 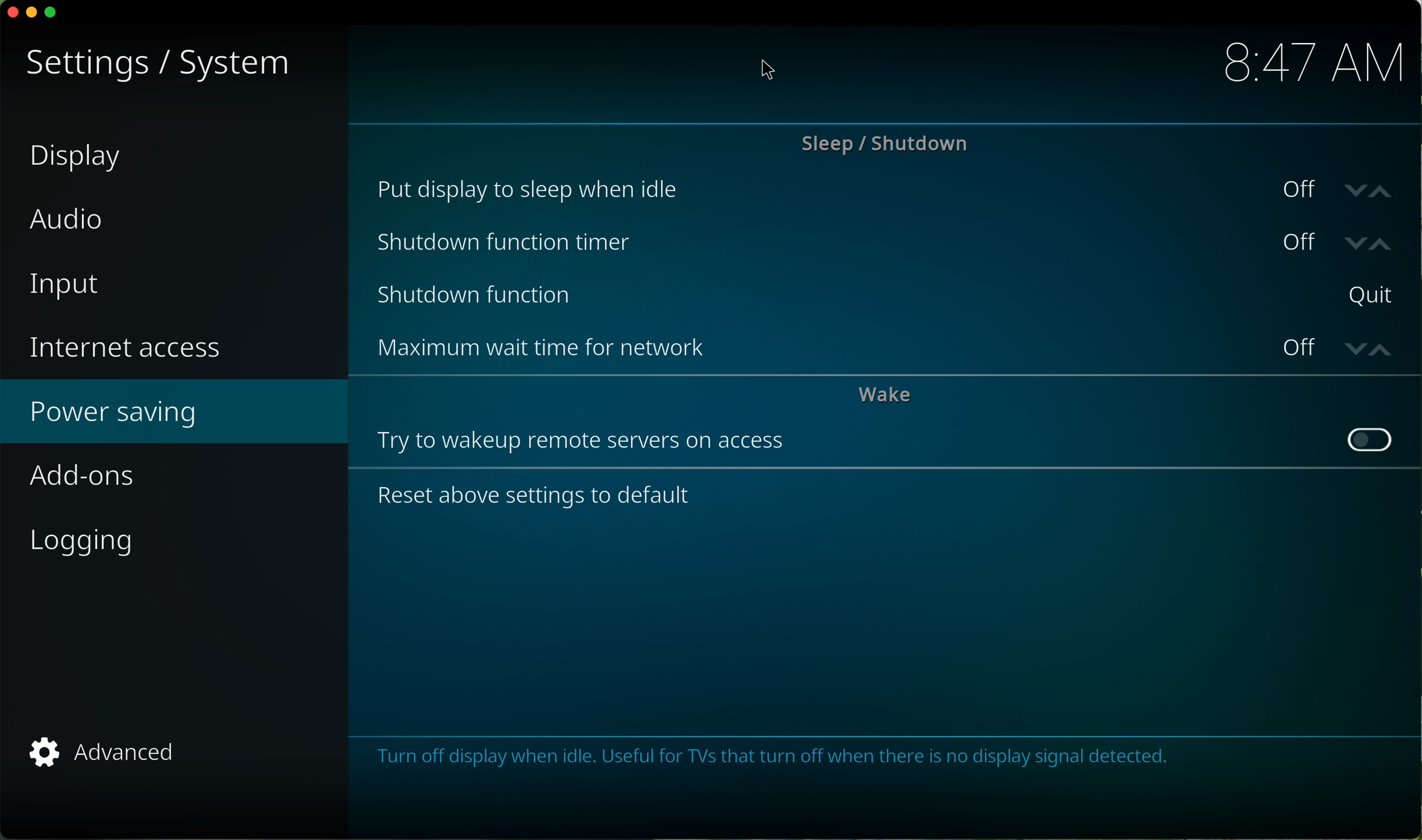 What do you see at coordinates (1312, 60) in the screenshot?
I see `hour` at bounding box center [1312, 60].